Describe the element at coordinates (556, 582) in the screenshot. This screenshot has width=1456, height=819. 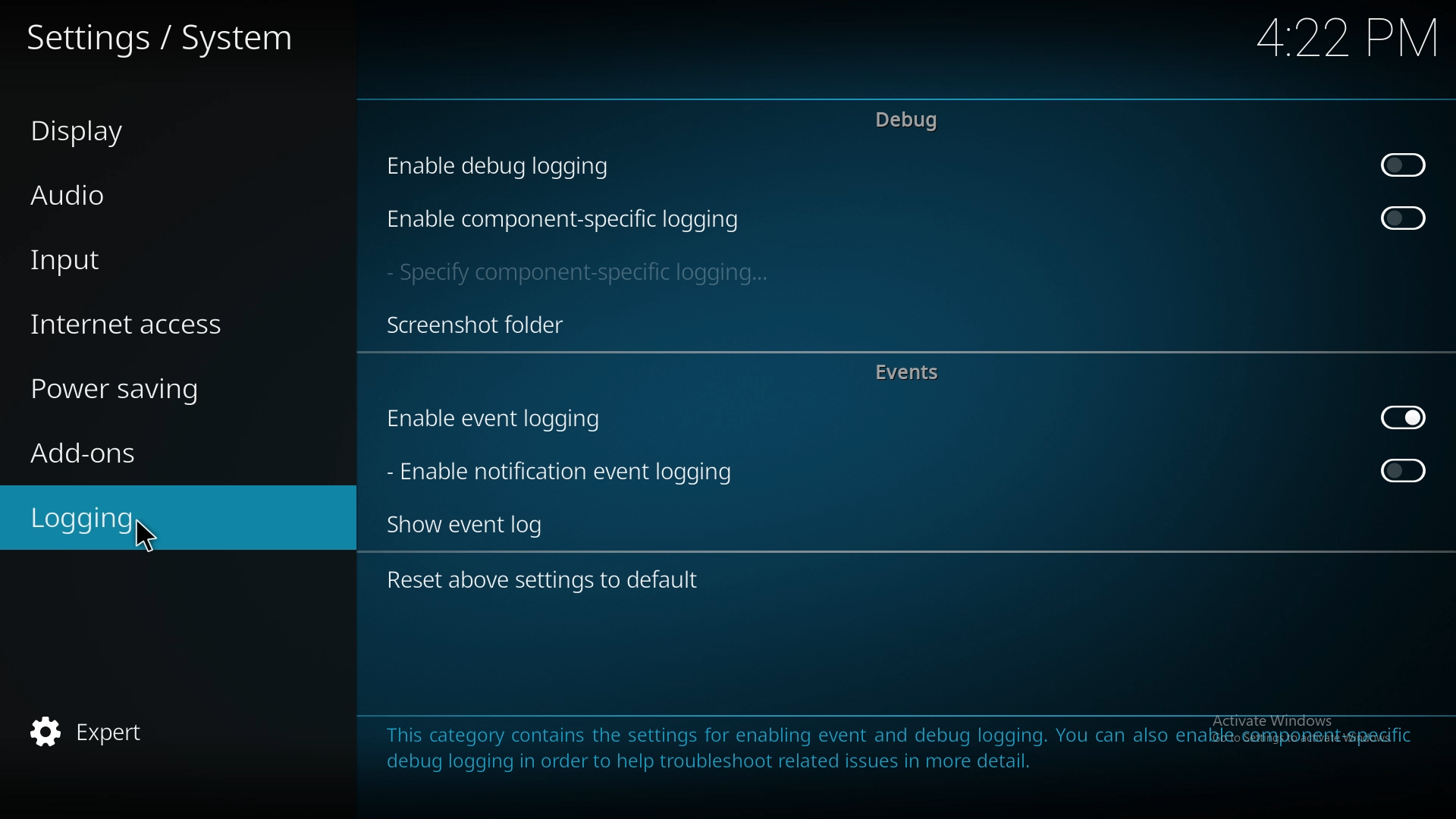
I see `reset above settings to default` at that location.